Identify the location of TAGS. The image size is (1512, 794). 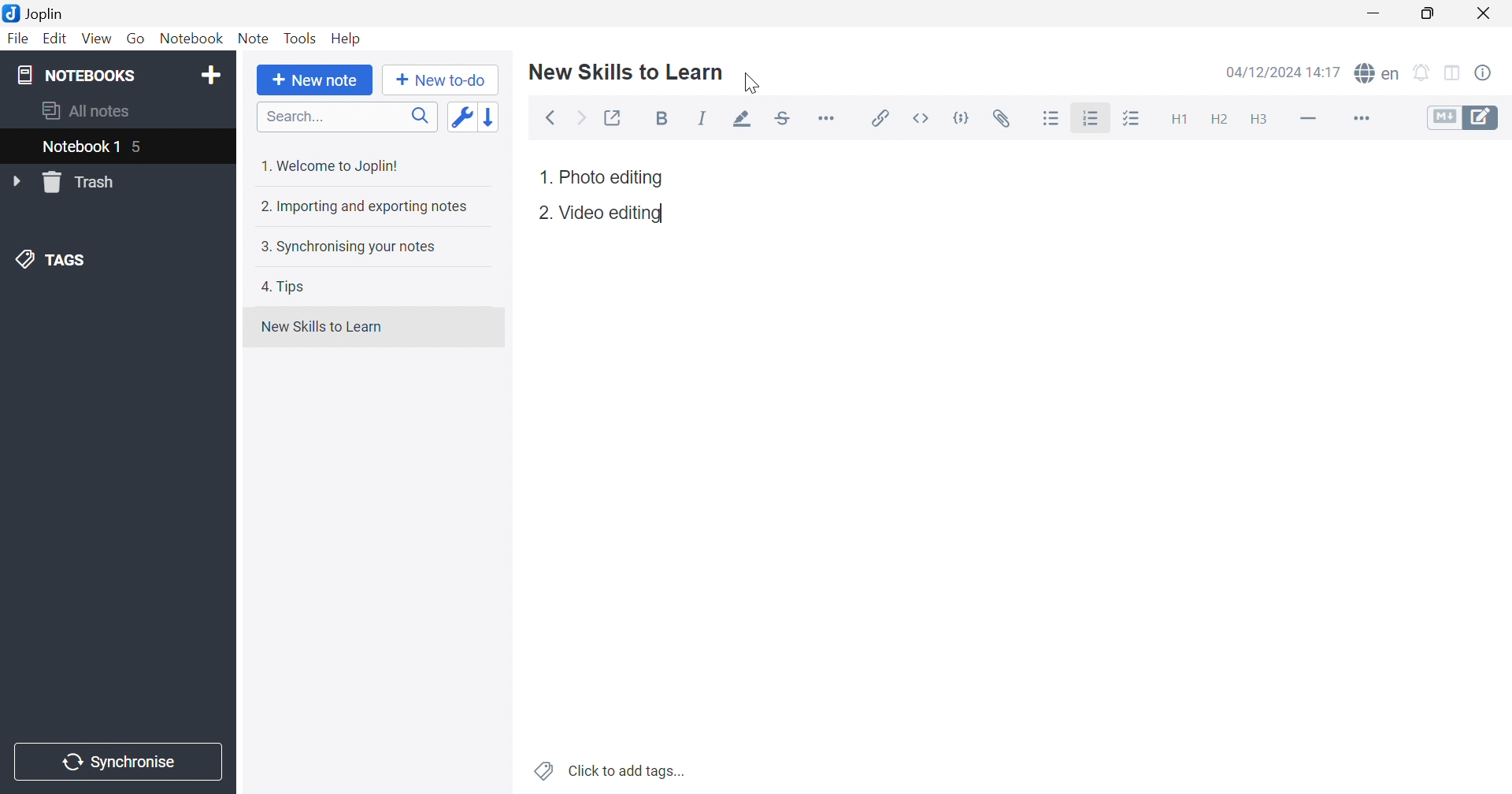
(54, 258).